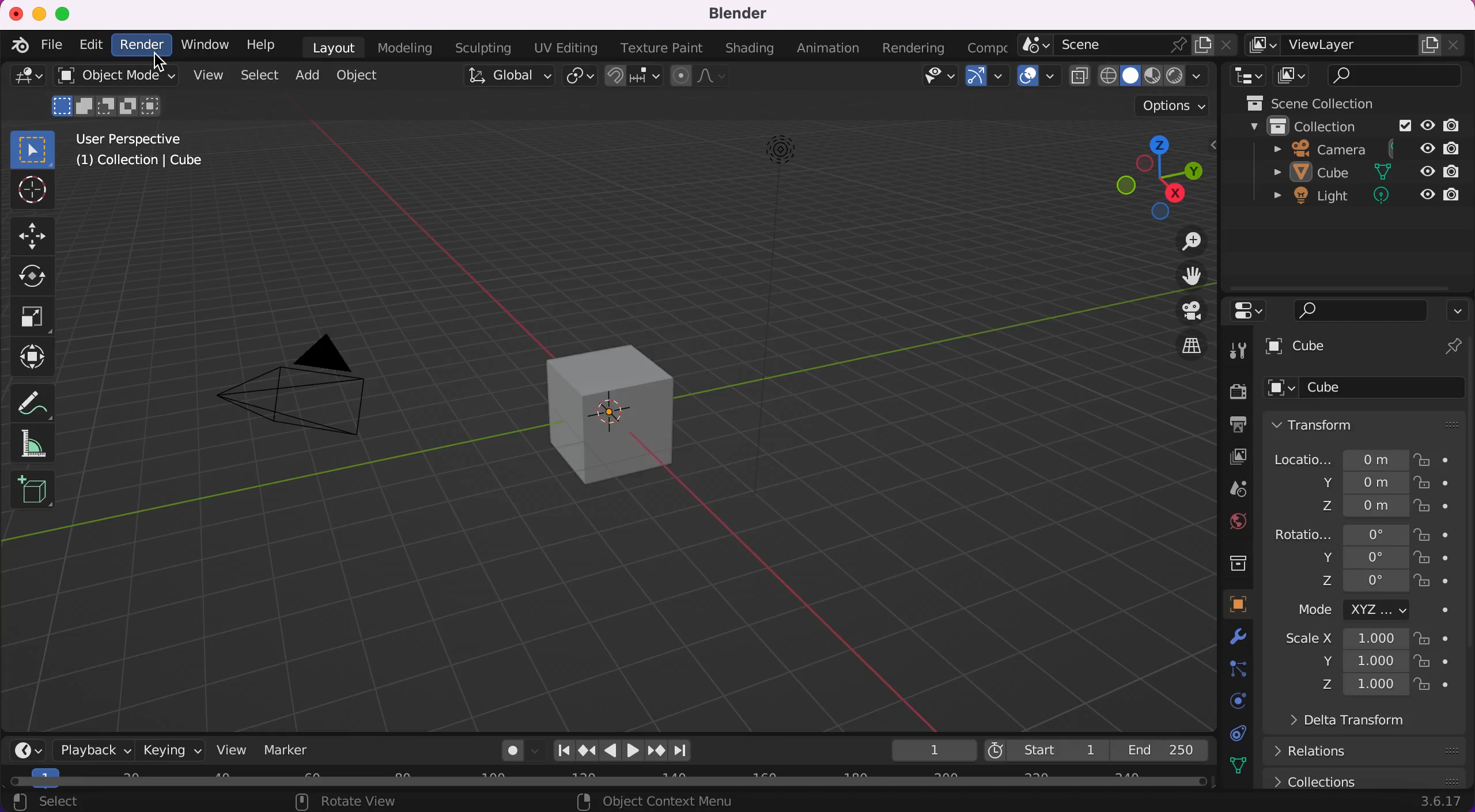 The image size is (1475, 812). What do you see at coordinates (1252, 313) in the screenshot?
I see `editor type` at bounding box center [1252, 313].